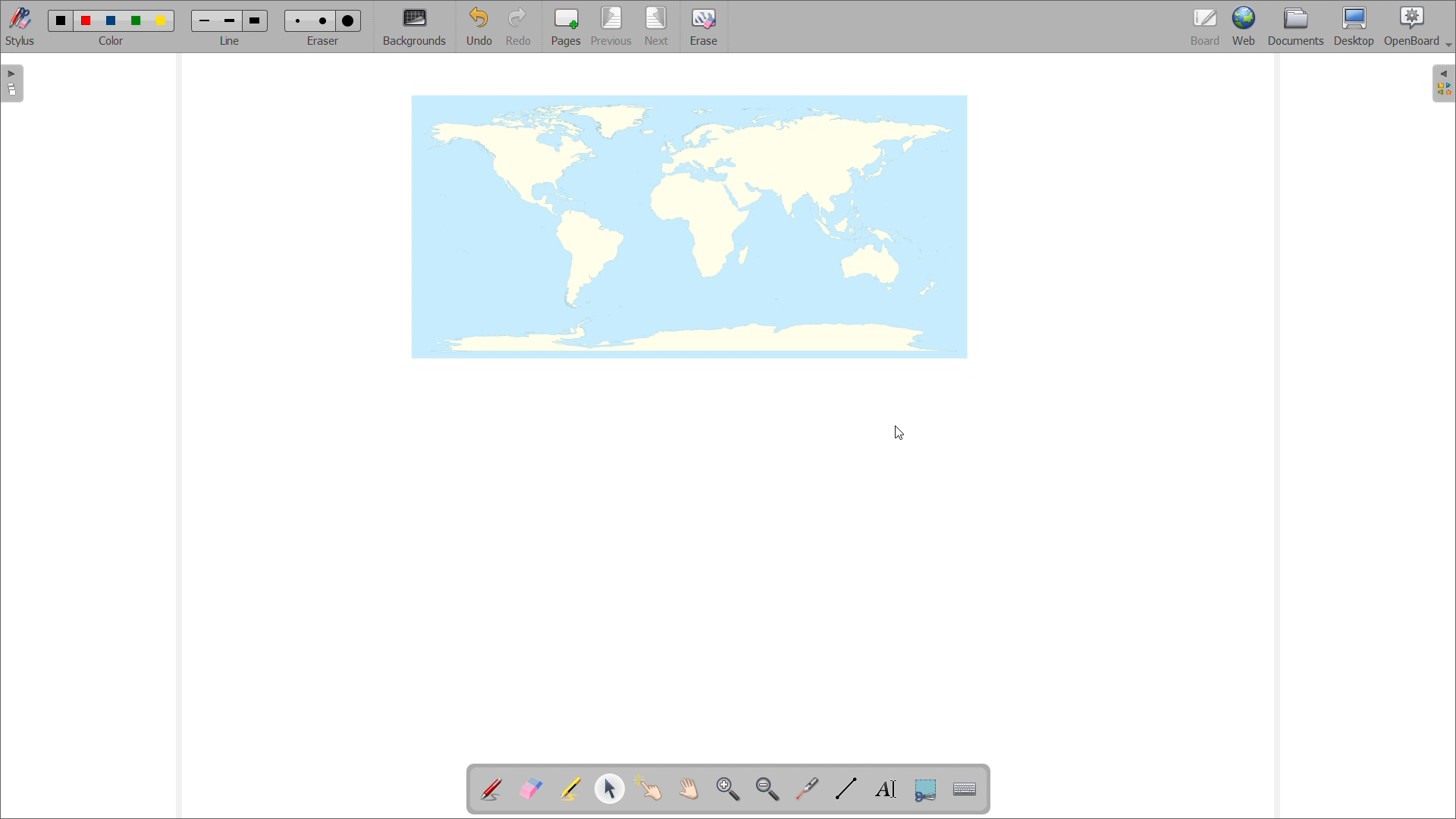 This screenshot has width=1456, height=819. What do you see at coordinates (349, 20) in the screenshot?
I see `large` at bounding box center [349, 20].